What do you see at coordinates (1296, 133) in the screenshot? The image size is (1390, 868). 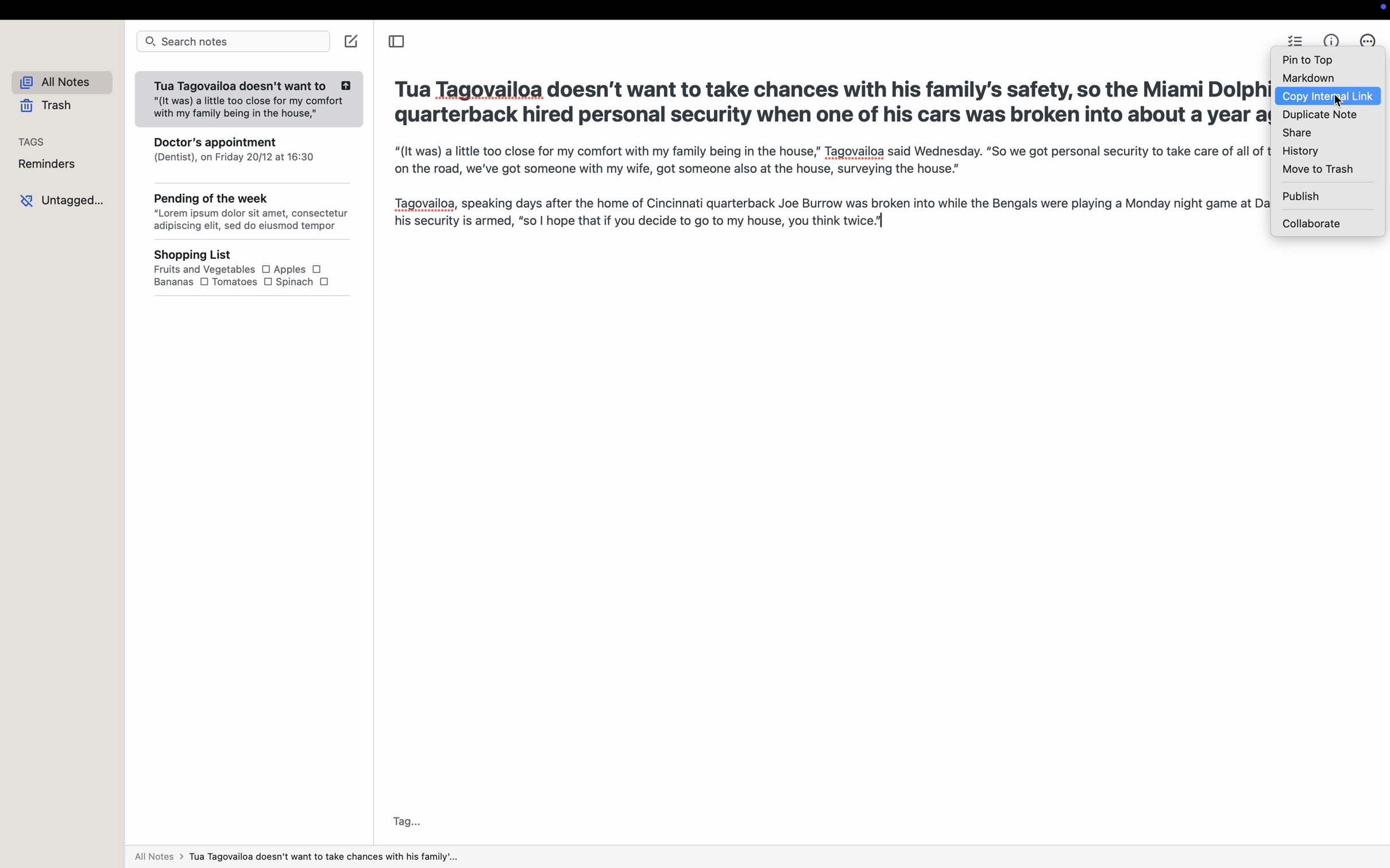 I see `shate` at bounding box center [1296, 133].